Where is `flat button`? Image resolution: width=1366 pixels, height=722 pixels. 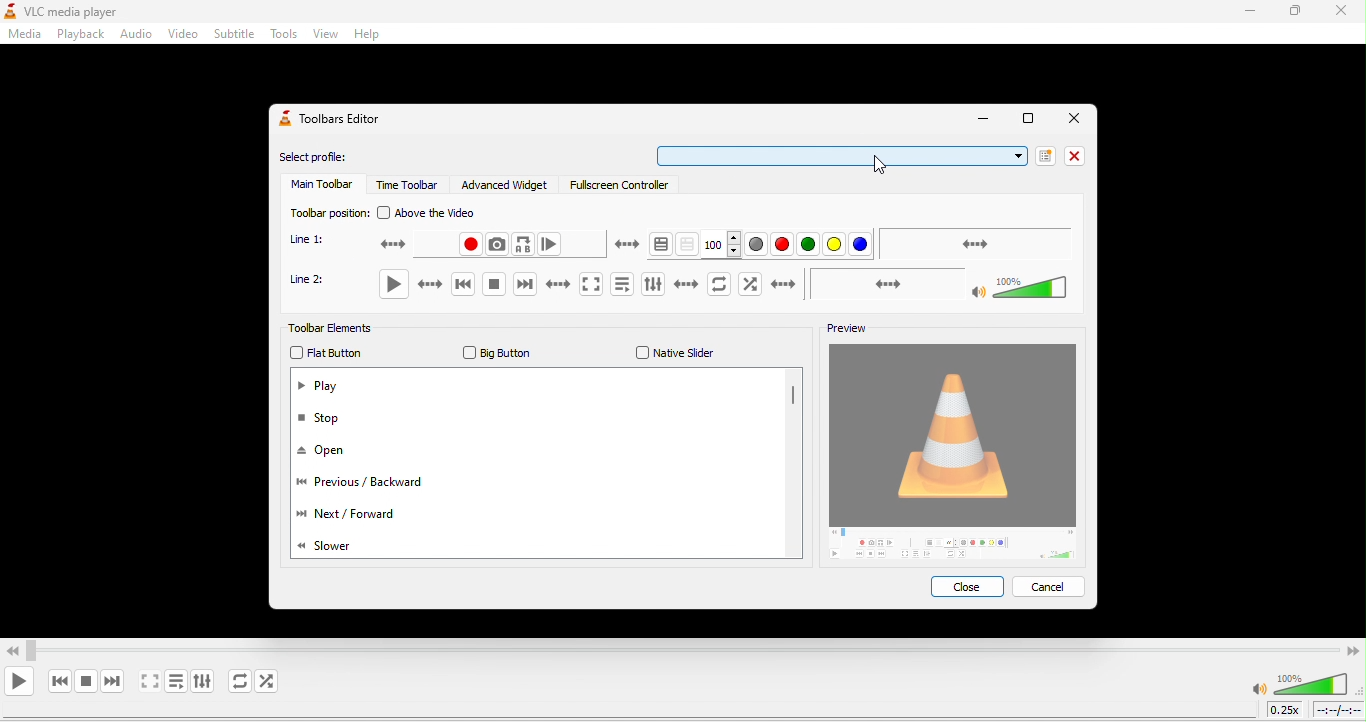 flat button is located at coordinates (337, 353).